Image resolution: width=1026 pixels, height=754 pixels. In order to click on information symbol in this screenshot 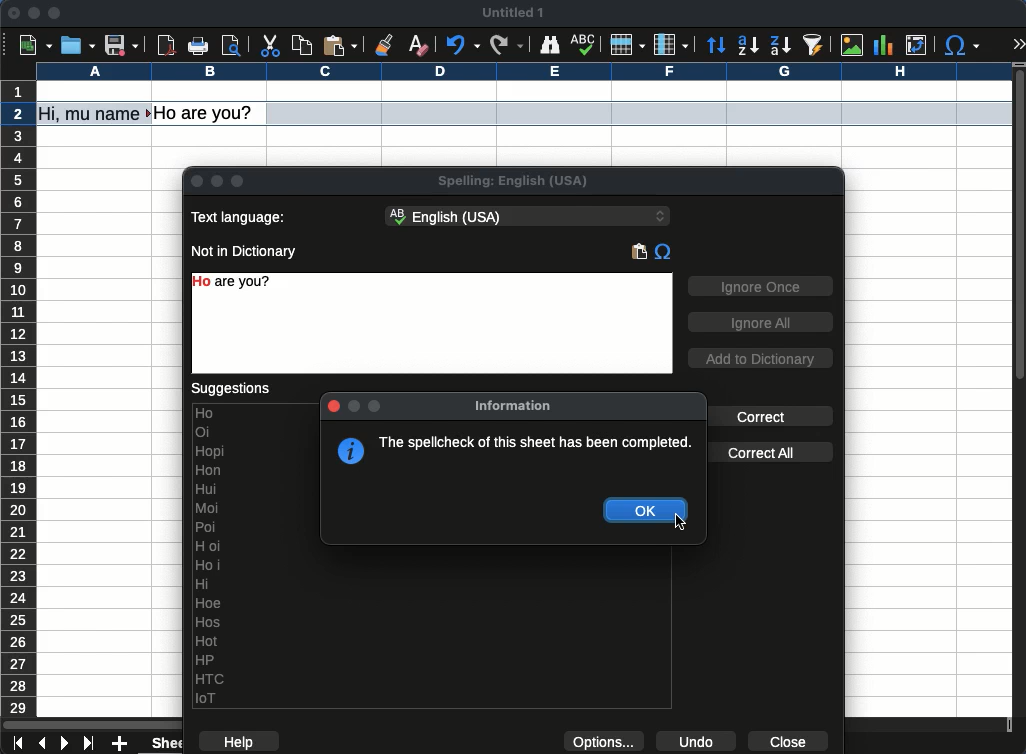, I will do `click(350, 450)`.